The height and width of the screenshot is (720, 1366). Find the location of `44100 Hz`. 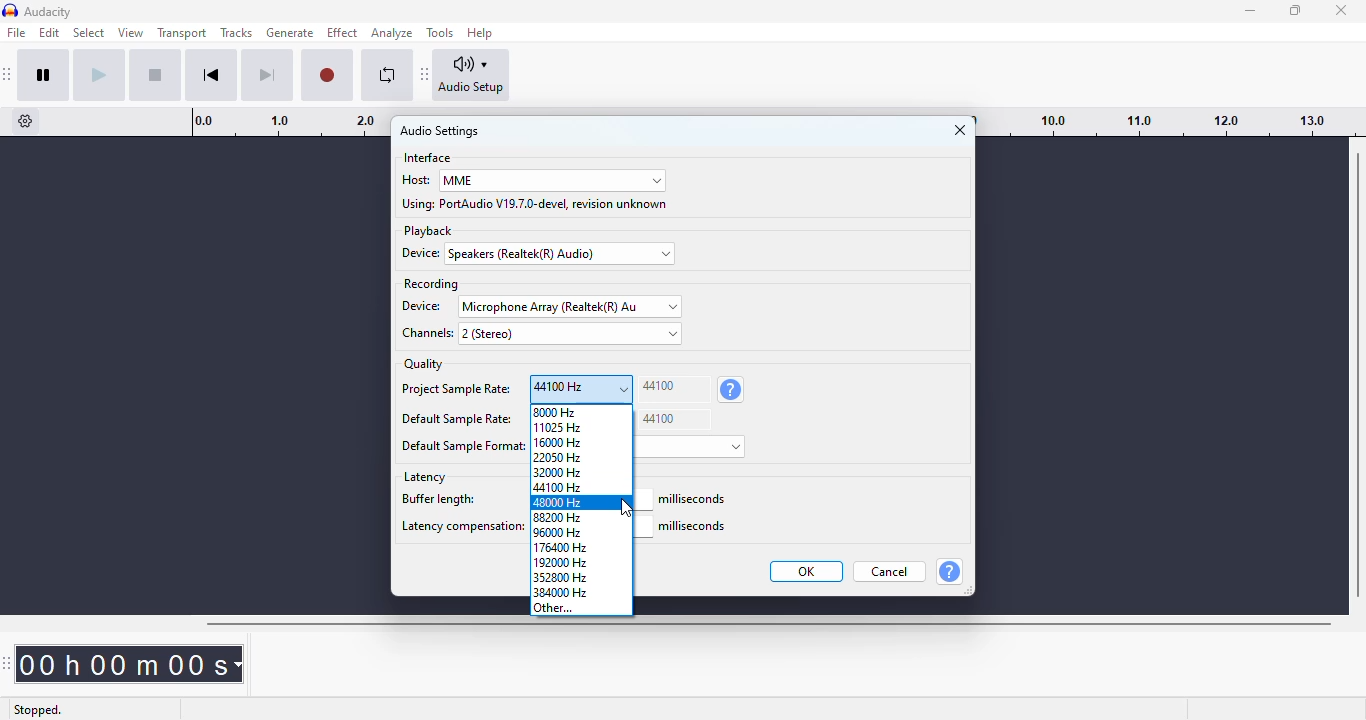

44100 Hz is located at coordinates (581, 487).